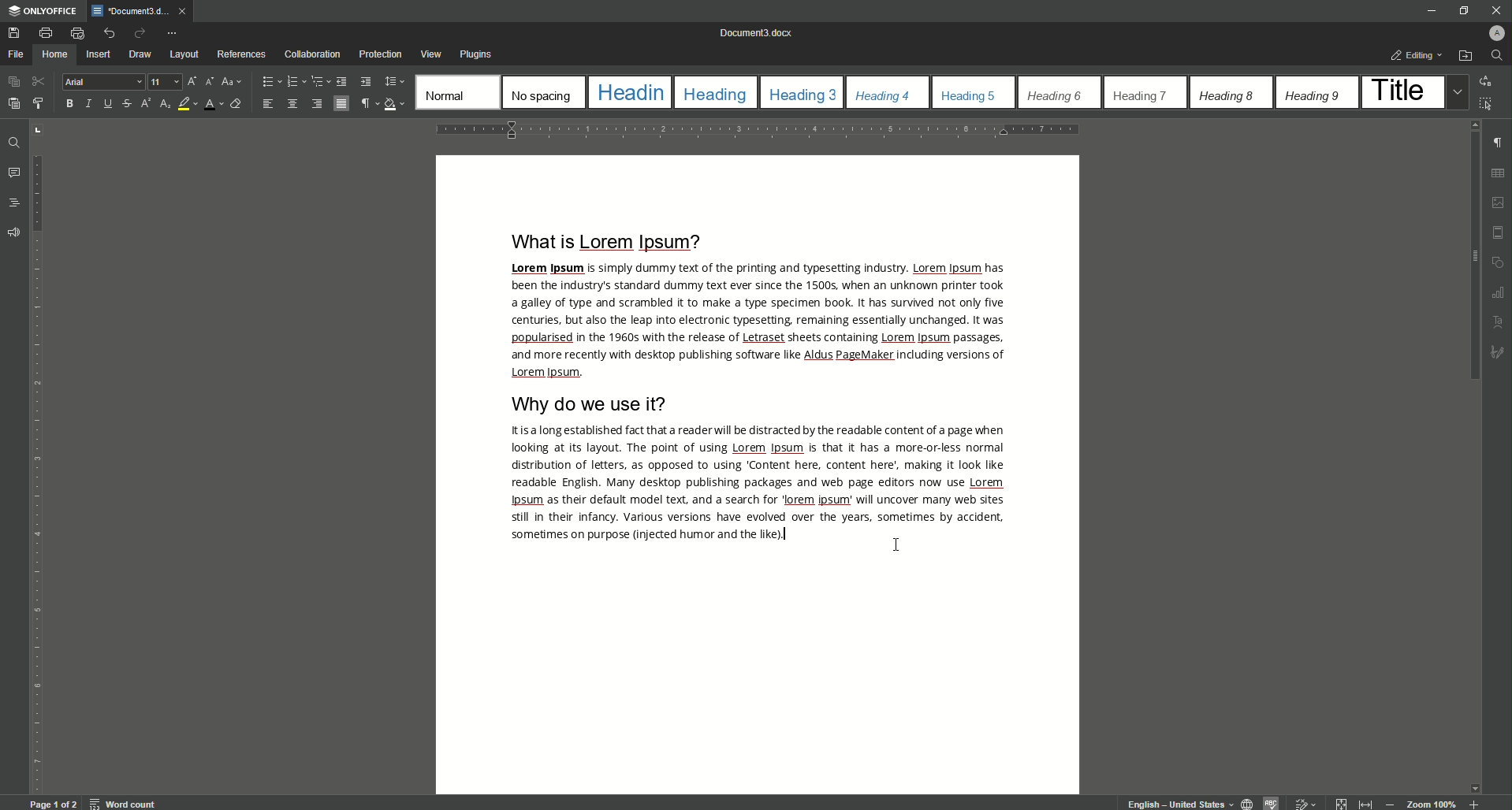  I want to click on Normal, so click(454, 90).